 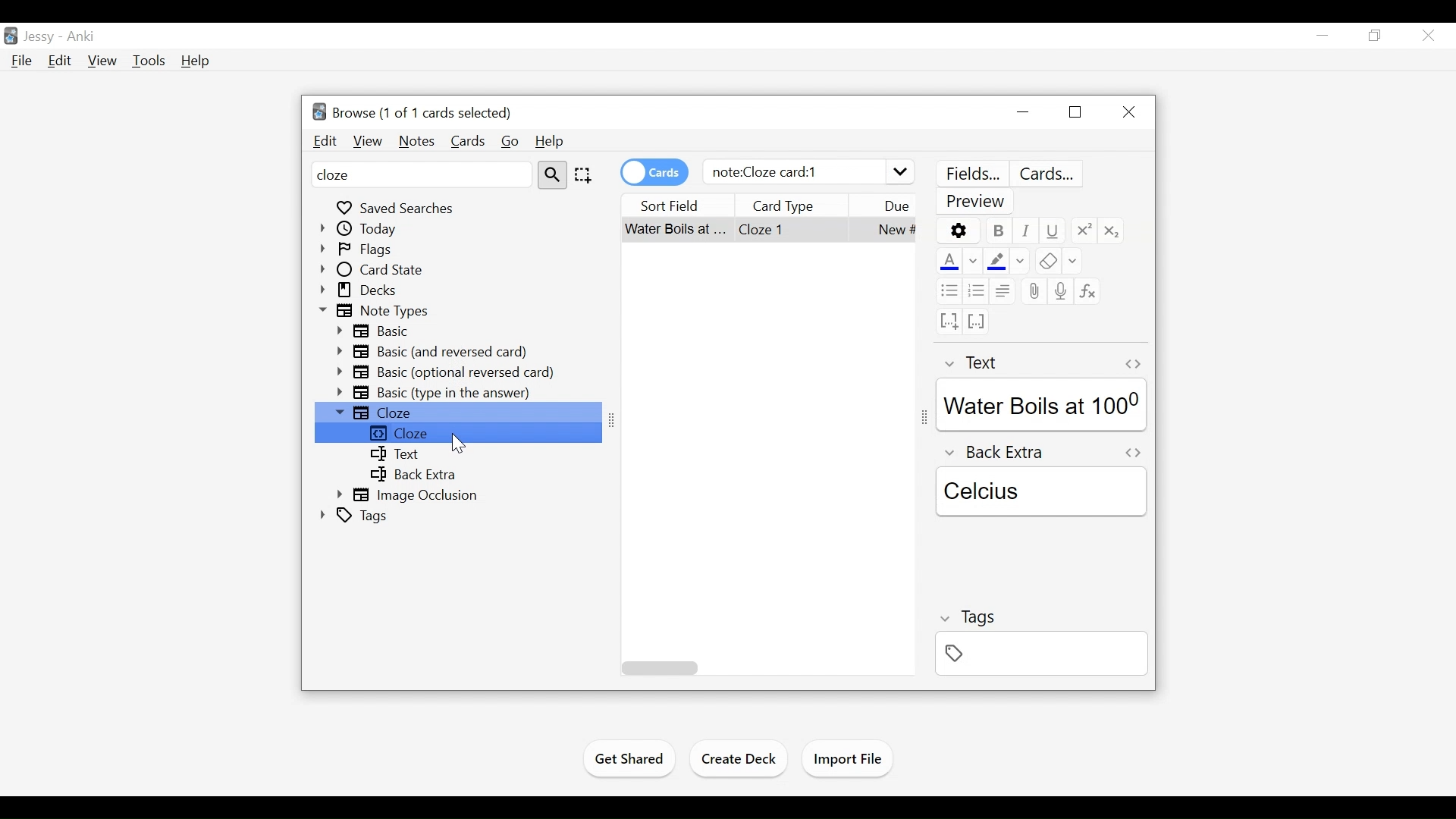 What do you see at coordinates (1062, 261) in the screenshot?
I see `Remove Formatting` at bounding box center [1062, 261].